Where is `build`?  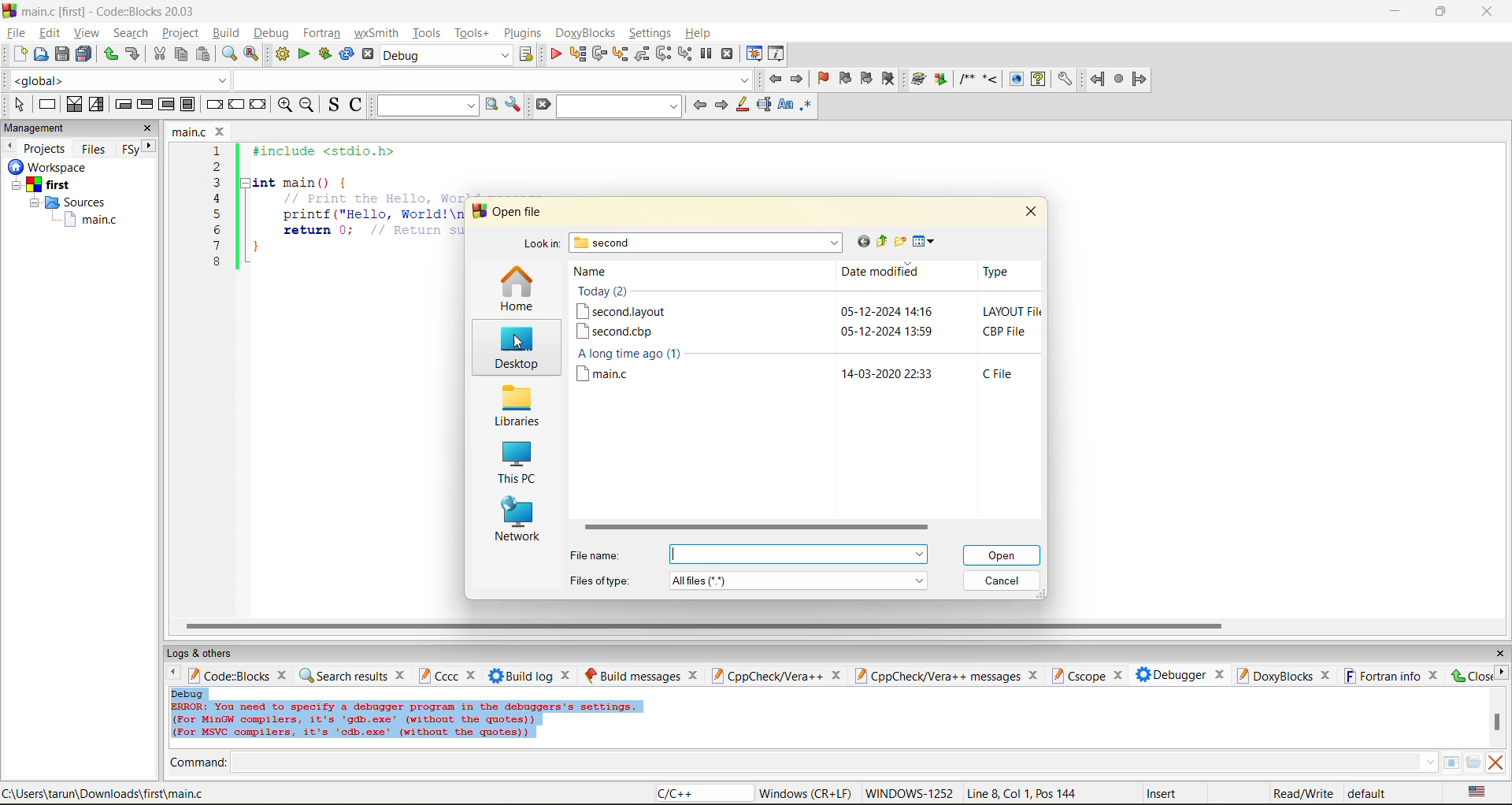 build is located at coordinates (282, 54).